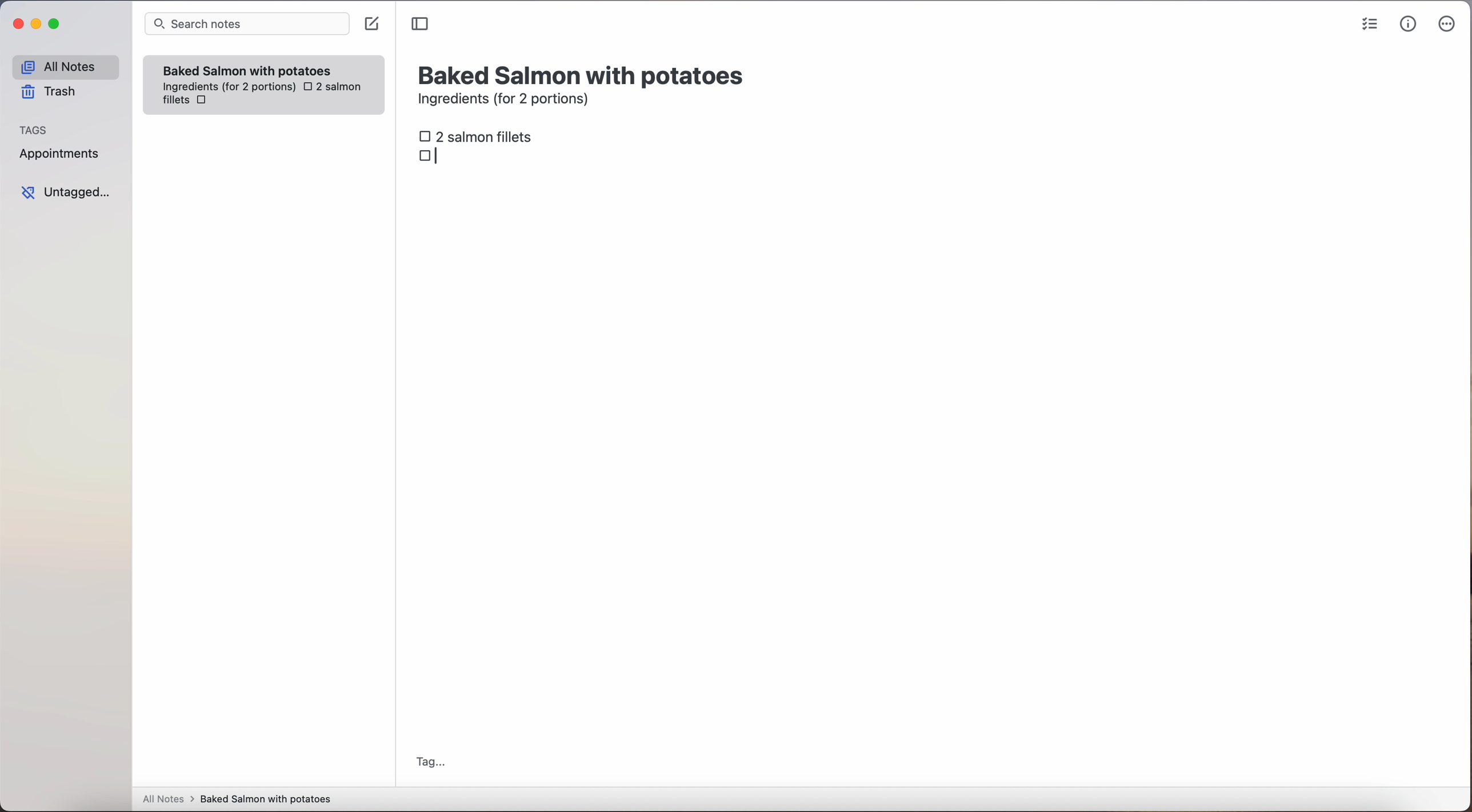 The height and width of the screenshot is (812, 1472). What do you see at coordinates (371, 24) in the screenshot?
I see `create note` at bounding box center [371, 24].